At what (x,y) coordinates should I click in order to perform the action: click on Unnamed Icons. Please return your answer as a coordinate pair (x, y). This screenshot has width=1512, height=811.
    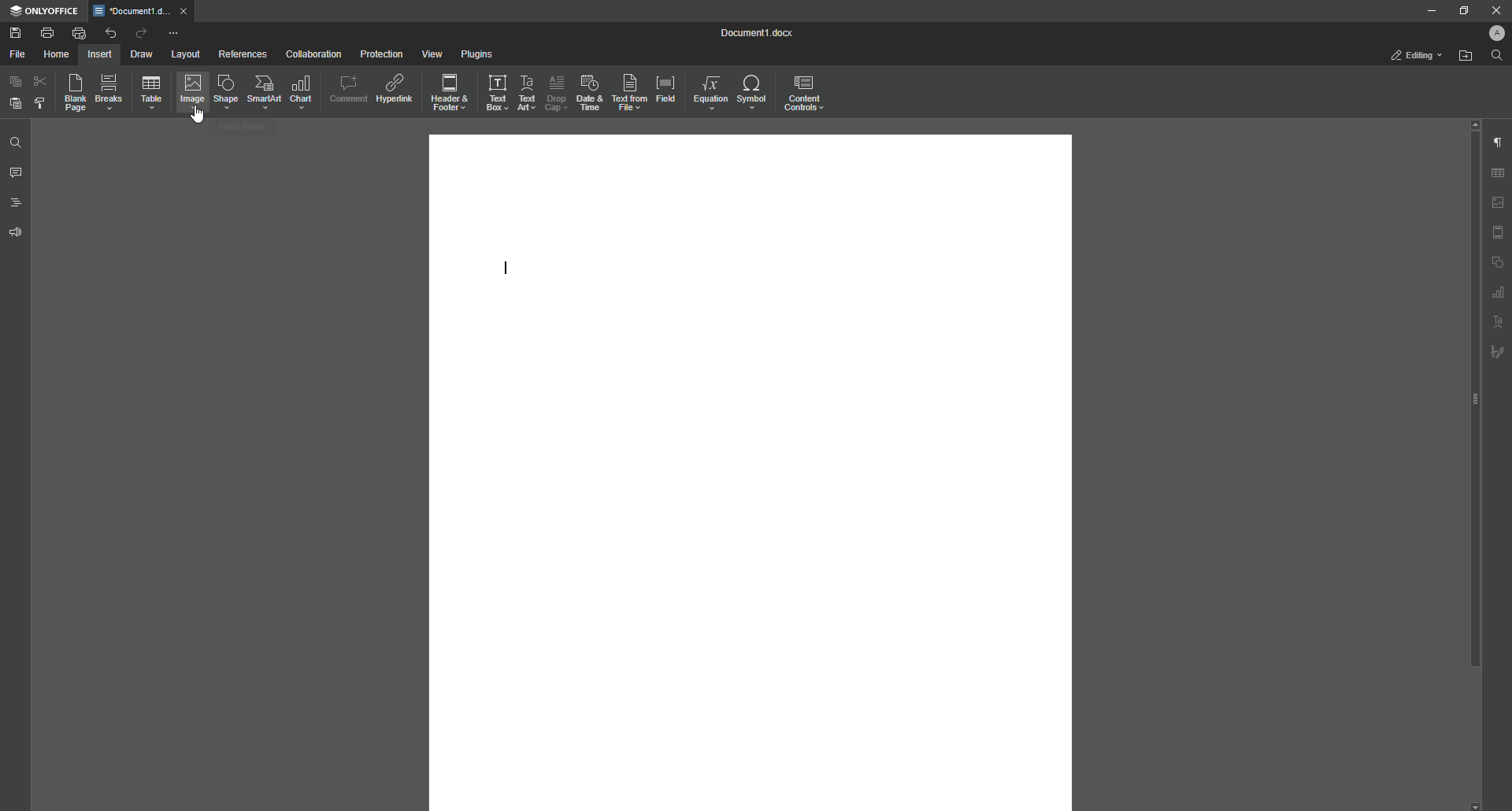
    Looking at the image, I should click on (1498, 263).